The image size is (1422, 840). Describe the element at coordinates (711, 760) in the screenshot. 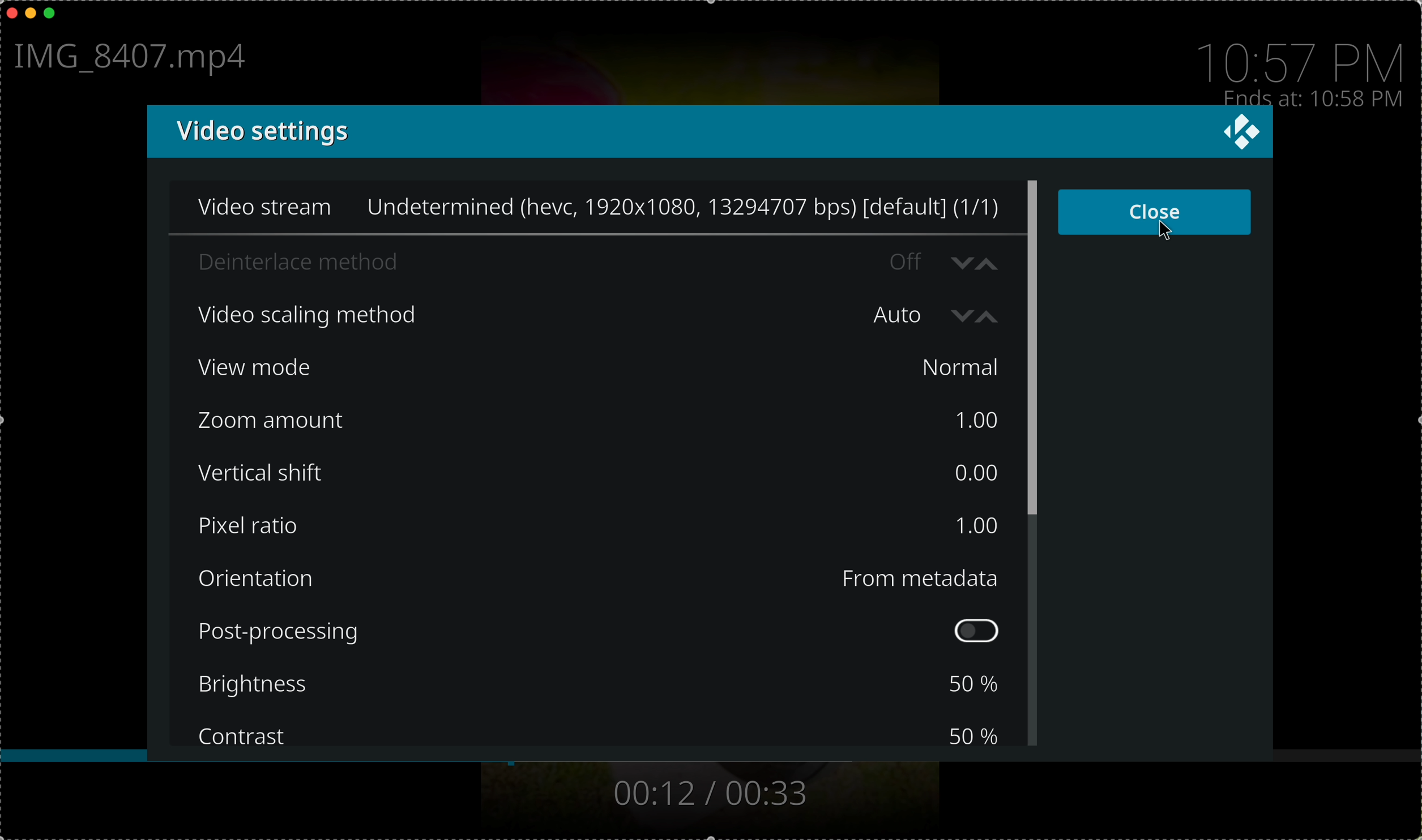

I see `timeline` at that location.